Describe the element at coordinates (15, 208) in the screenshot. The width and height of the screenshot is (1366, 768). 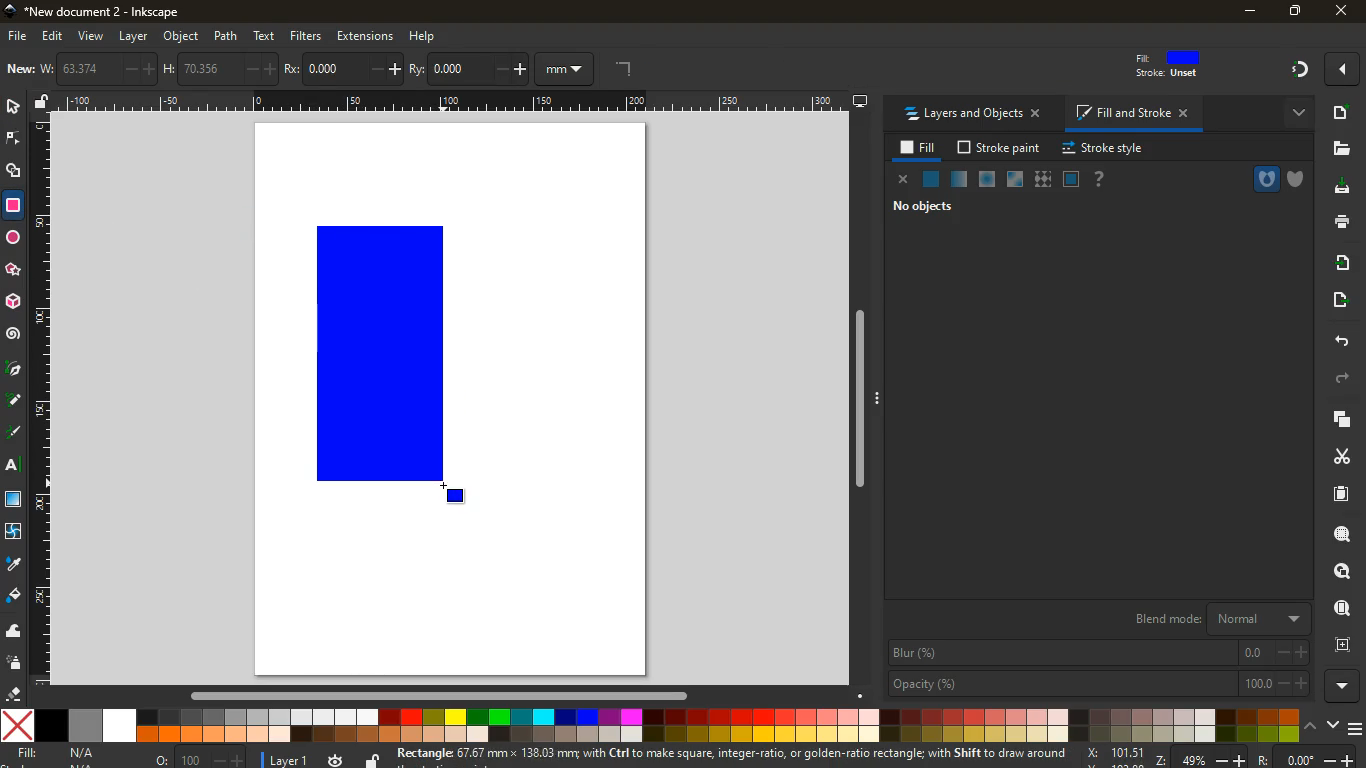
I see `rectangle tool` at that location.